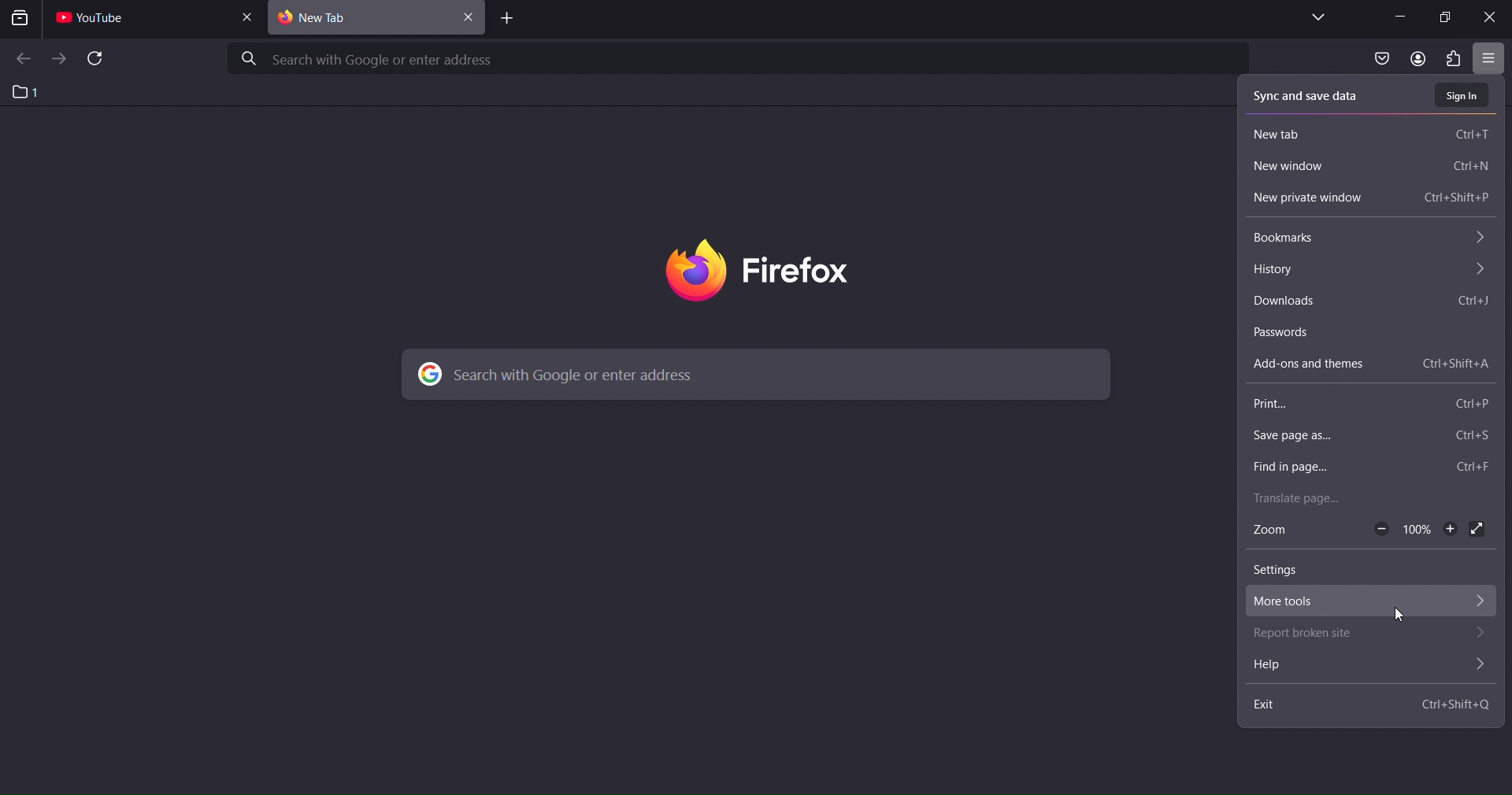 Image resolution: width=1512 pixels, height=795 pixels. I want to click on save as pocket, so click(1377, 60).